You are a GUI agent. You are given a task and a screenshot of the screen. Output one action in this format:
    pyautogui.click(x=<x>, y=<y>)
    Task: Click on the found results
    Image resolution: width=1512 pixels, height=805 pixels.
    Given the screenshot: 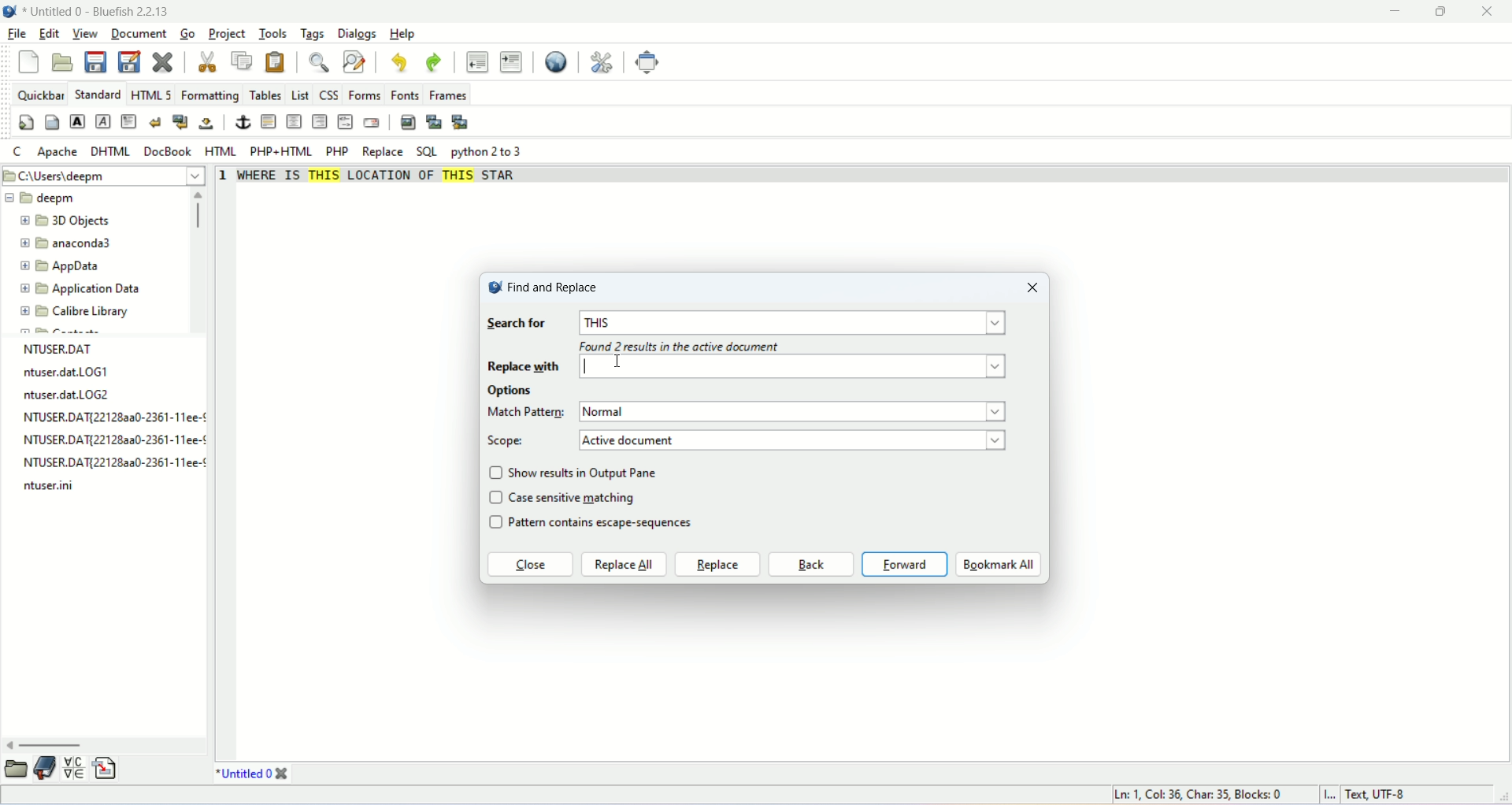 What is the action you would take?
    pyautogui.click(x=679, y=349)
    